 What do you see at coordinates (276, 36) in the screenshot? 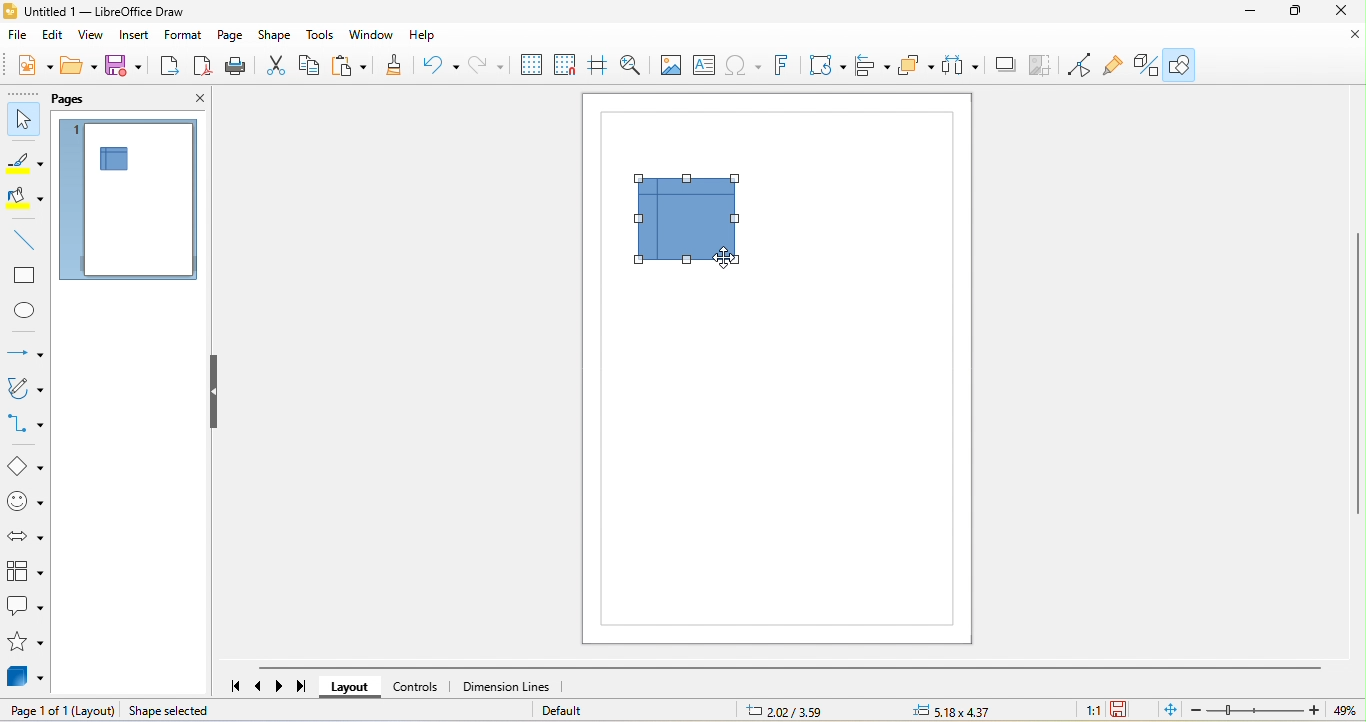
I see `shape` at bounding box center [276, 36].